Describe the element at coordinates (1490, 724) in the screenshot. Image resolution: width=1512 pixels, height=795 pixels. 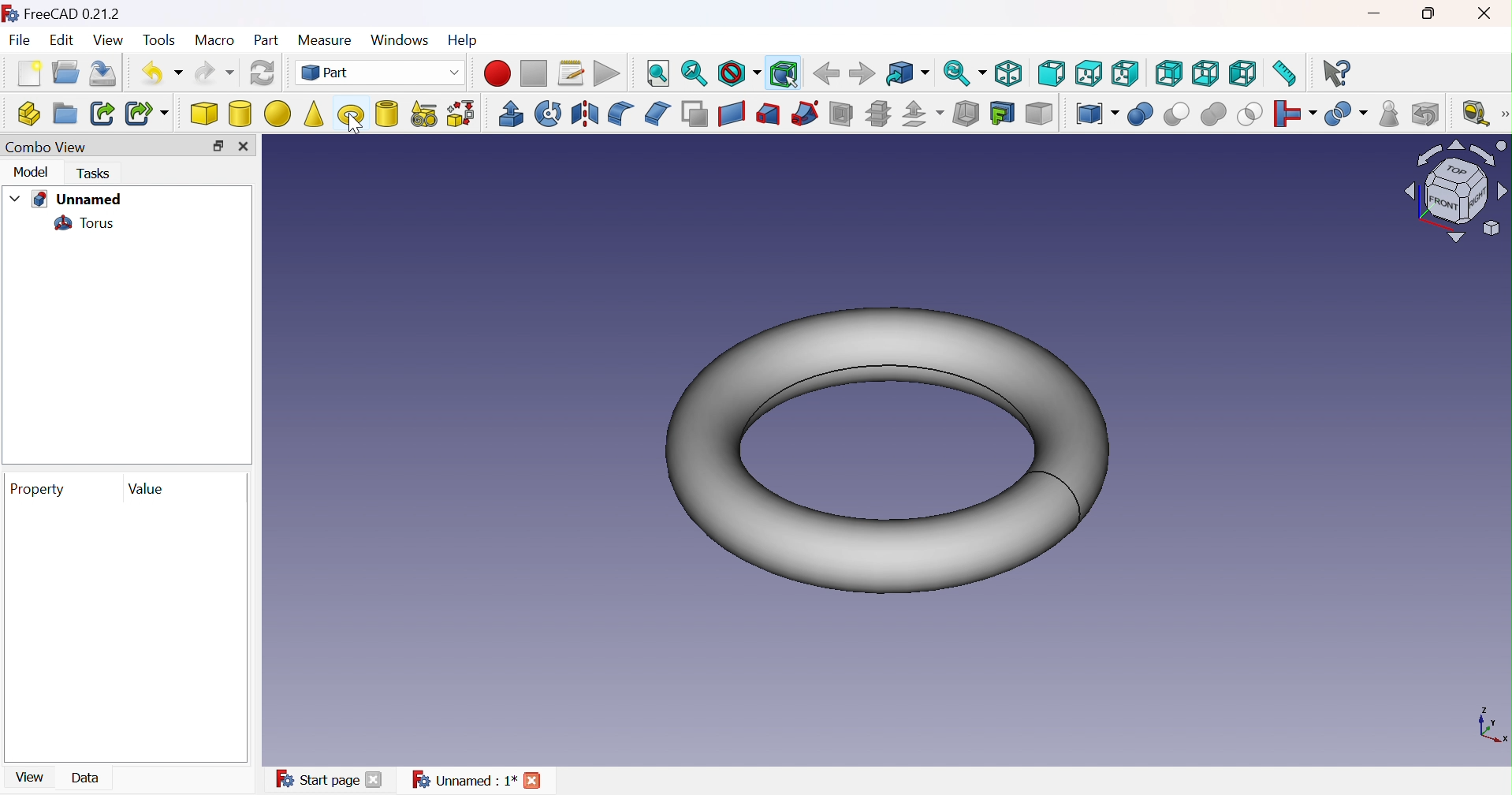
I see `x, y axis` at that location.